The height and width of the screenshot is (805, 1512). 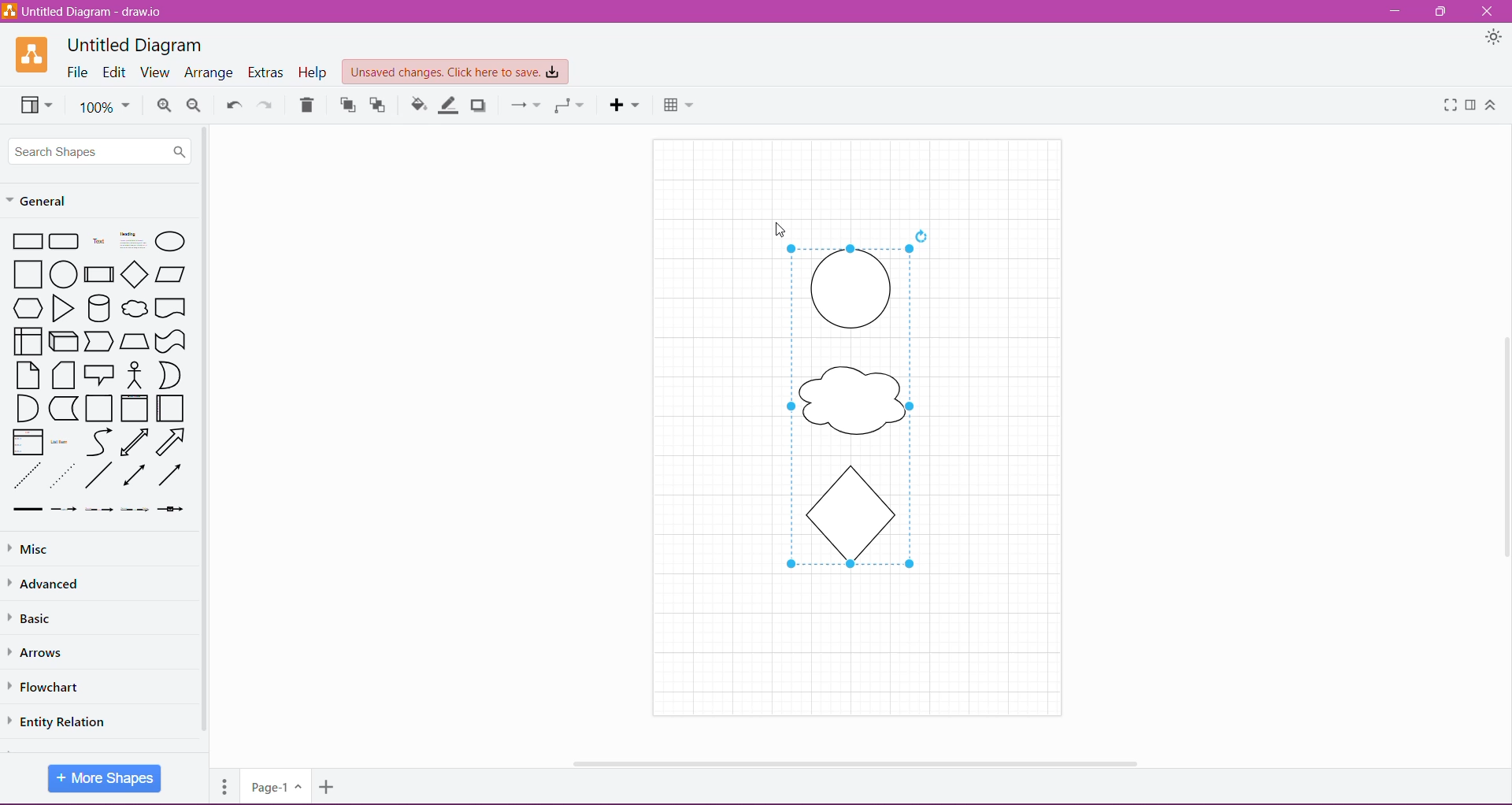 I want to click on More shapes, so click(x=106, y=777).